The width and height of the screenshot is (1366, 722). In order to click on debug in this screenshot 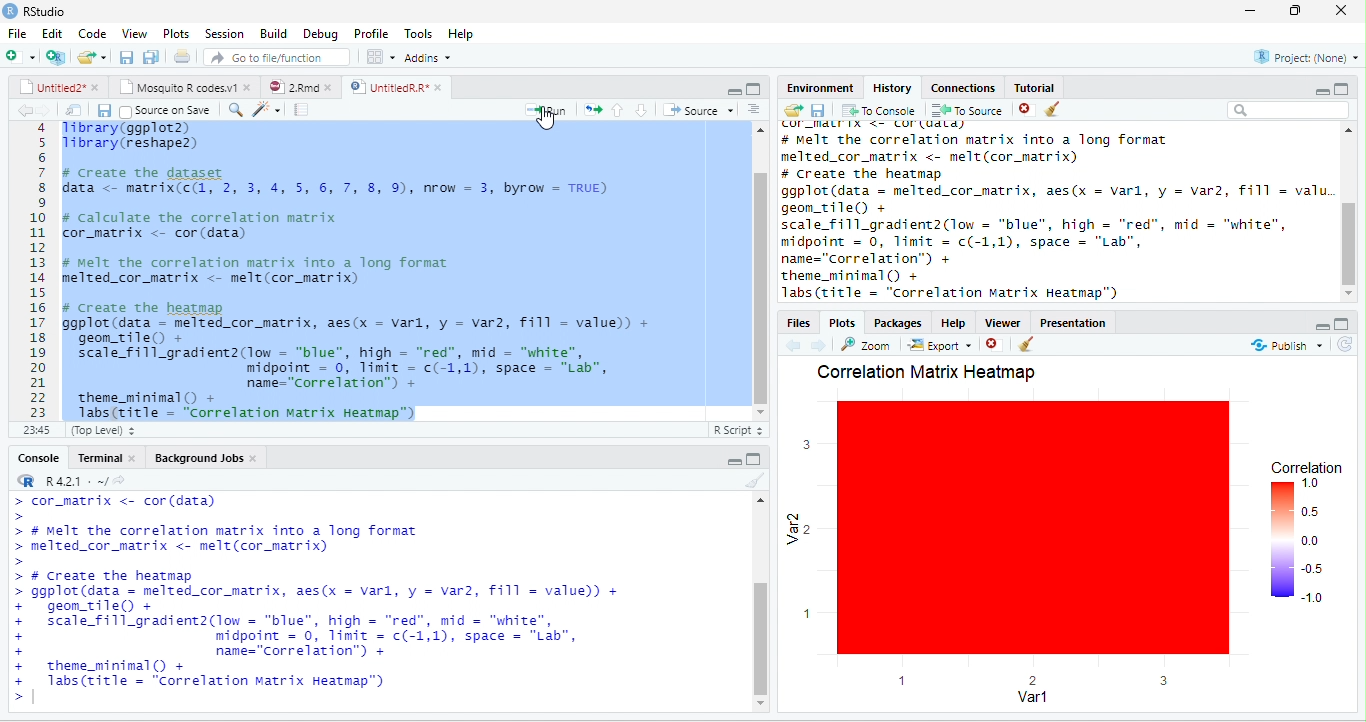, I will do `click(321, 35)`.